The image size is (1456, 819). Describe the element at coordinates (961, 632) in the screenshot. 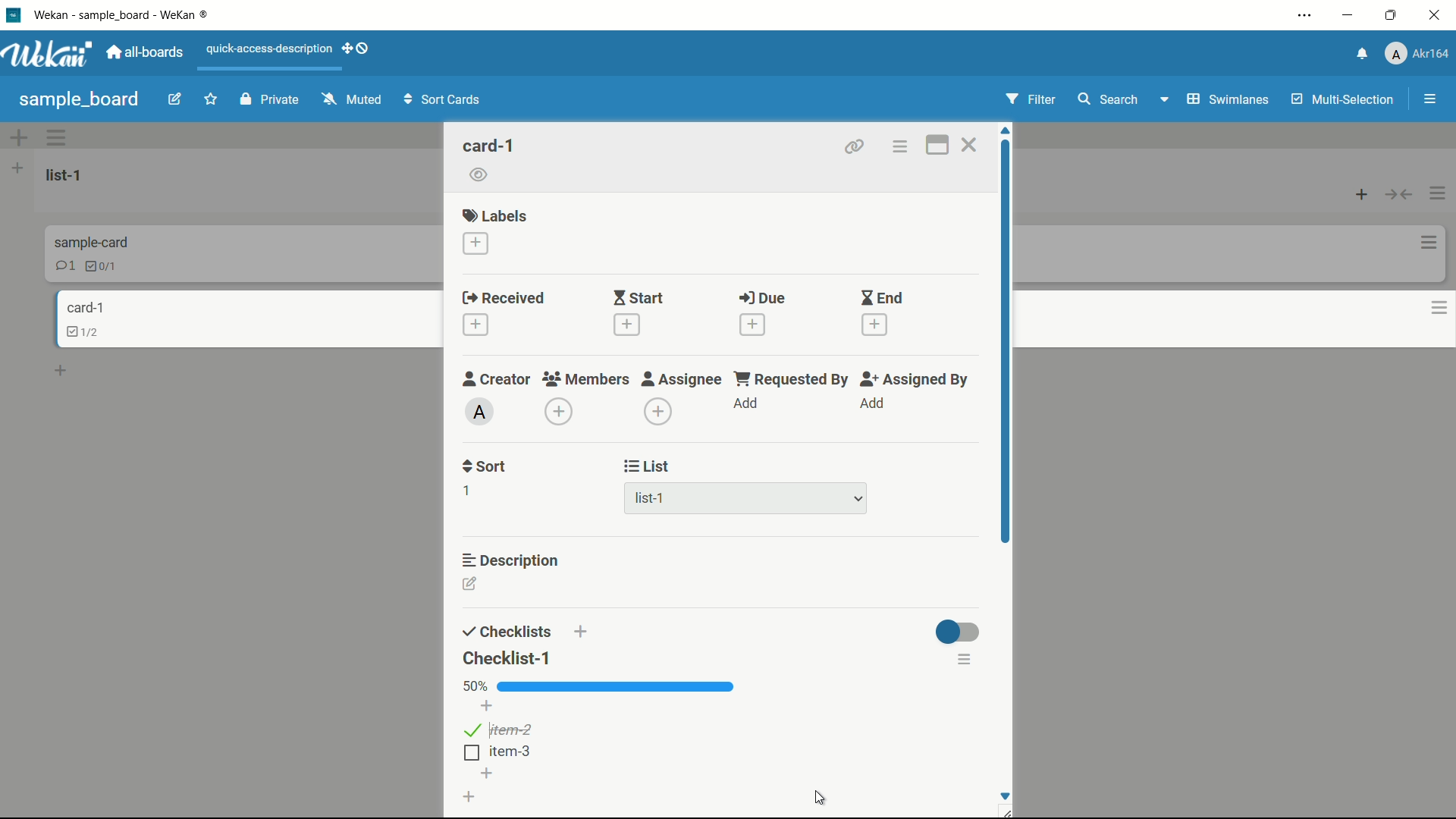

I see `toggle button` at that location.